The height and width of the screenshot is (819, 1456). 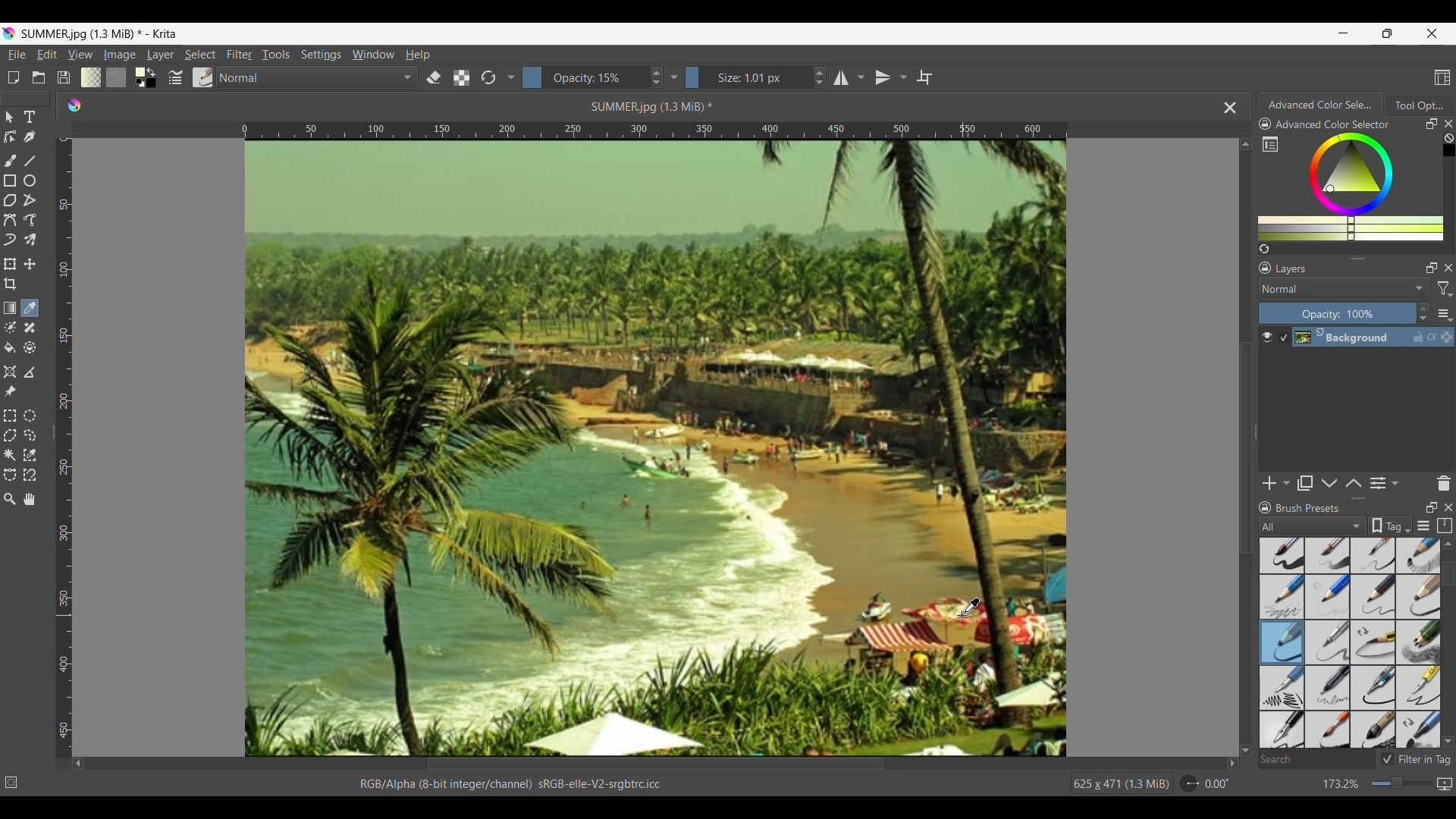 What do you see at coordinates (1448, 574) in the screenshot?
I see `Vertical slide bar for brush` at bounding box center [1448, 574].